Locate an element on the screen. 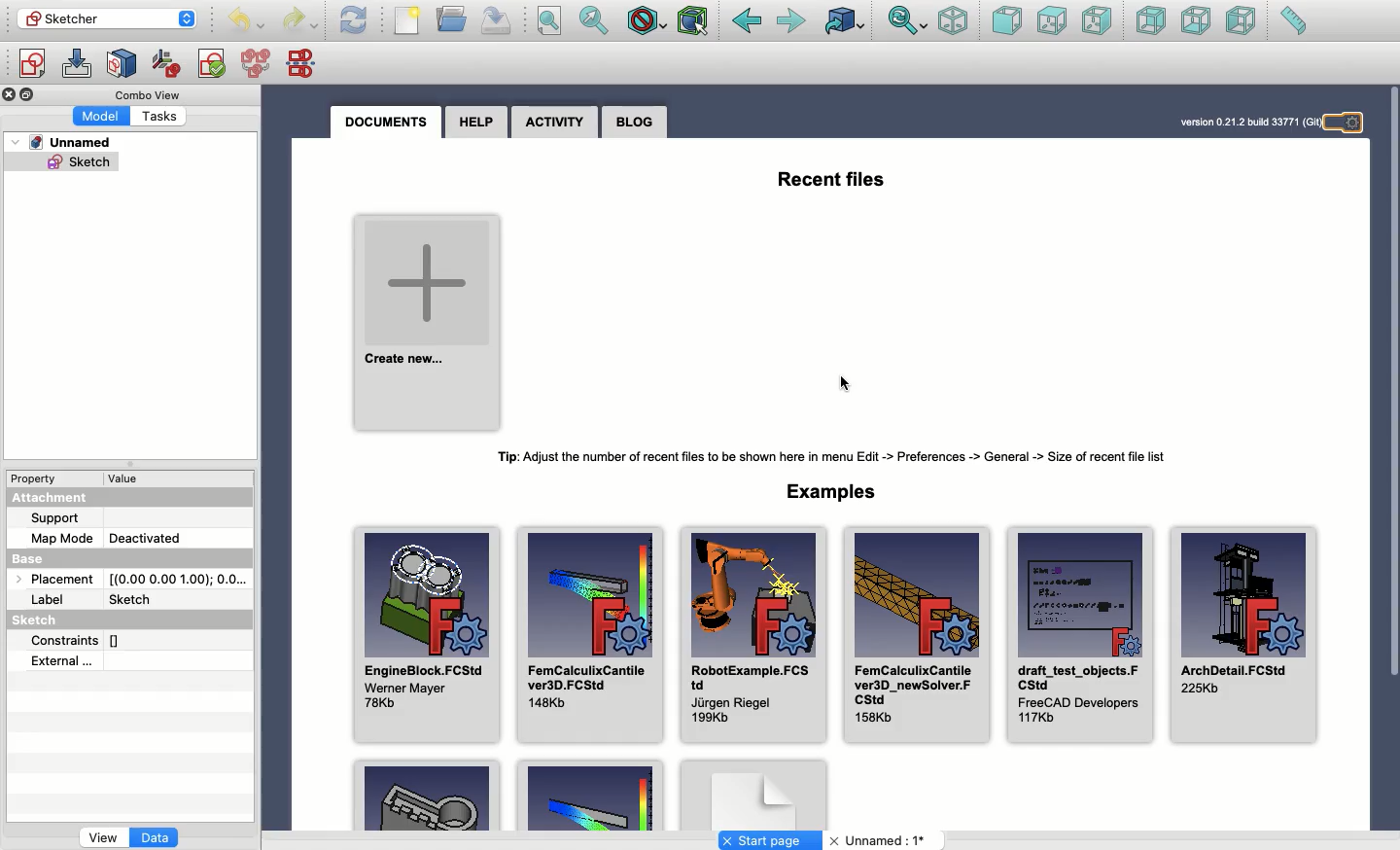  value is located at coordinates (127, 479).